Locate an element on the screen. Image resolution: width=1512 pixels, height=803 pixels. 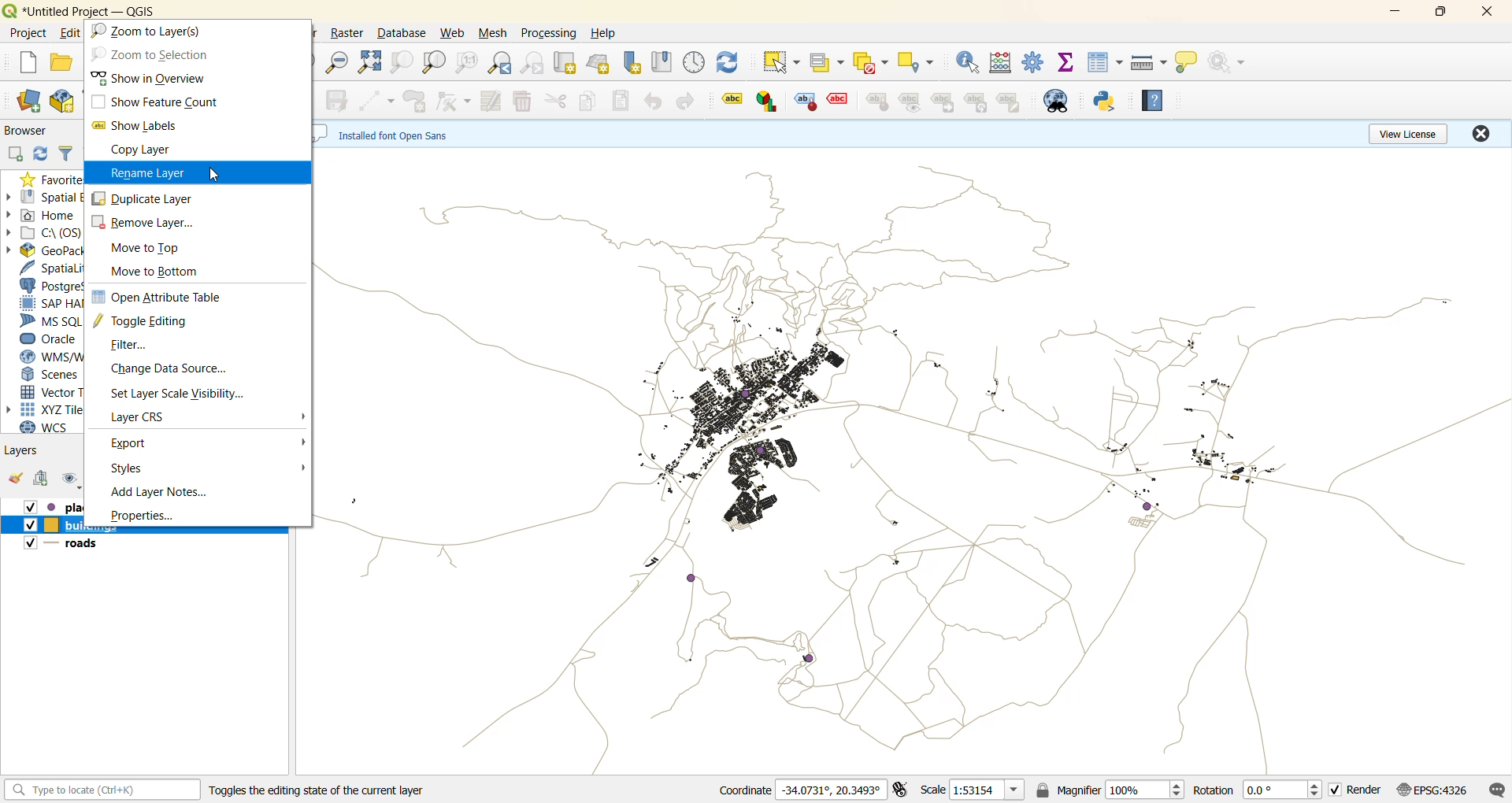
save edits is located at coordinates (335, 99).